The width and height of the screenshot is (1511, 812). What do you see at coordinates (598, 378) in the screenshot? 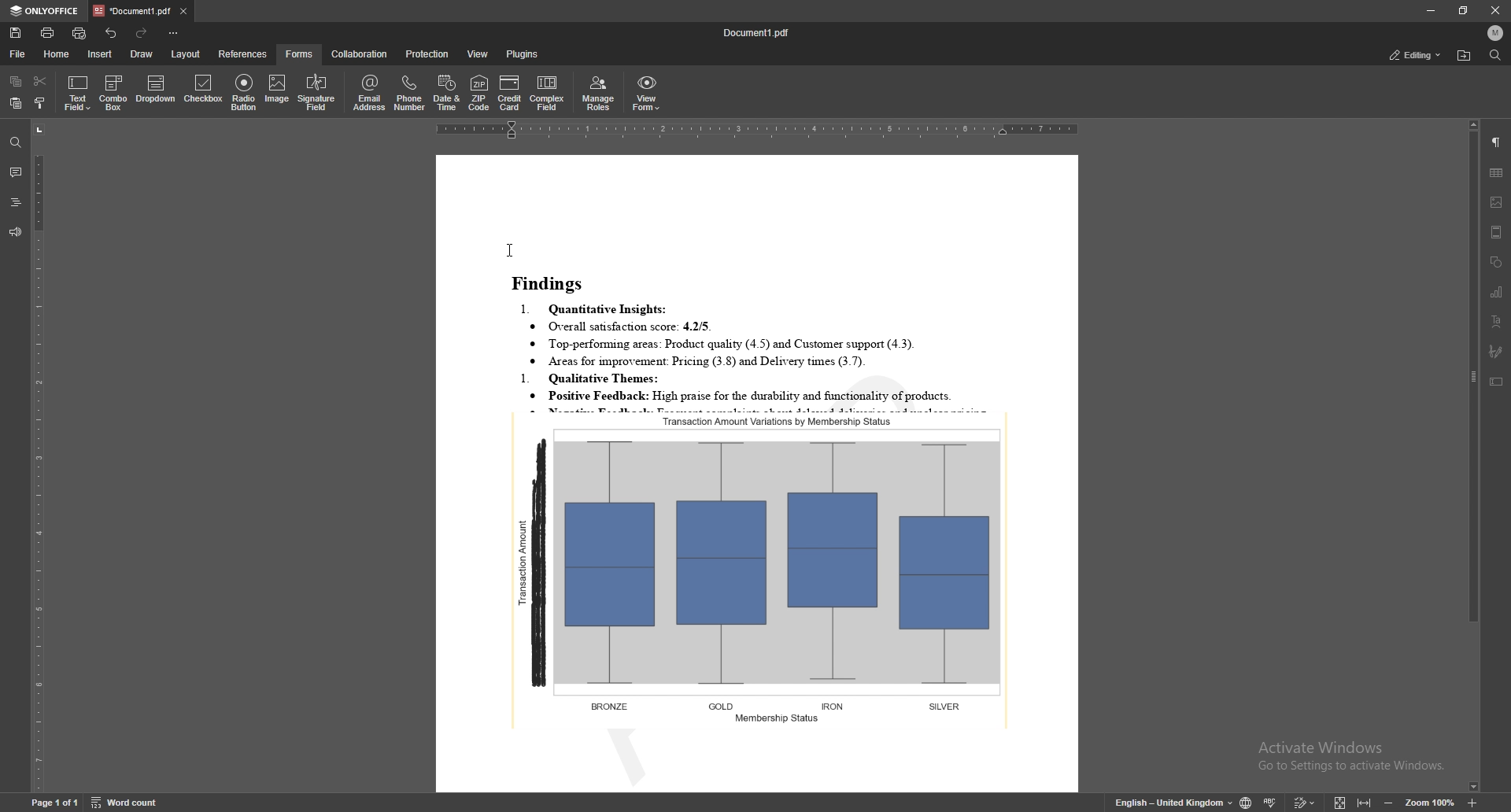
I see `1. Qualitative Themes:` at bounding box center [598, 378].